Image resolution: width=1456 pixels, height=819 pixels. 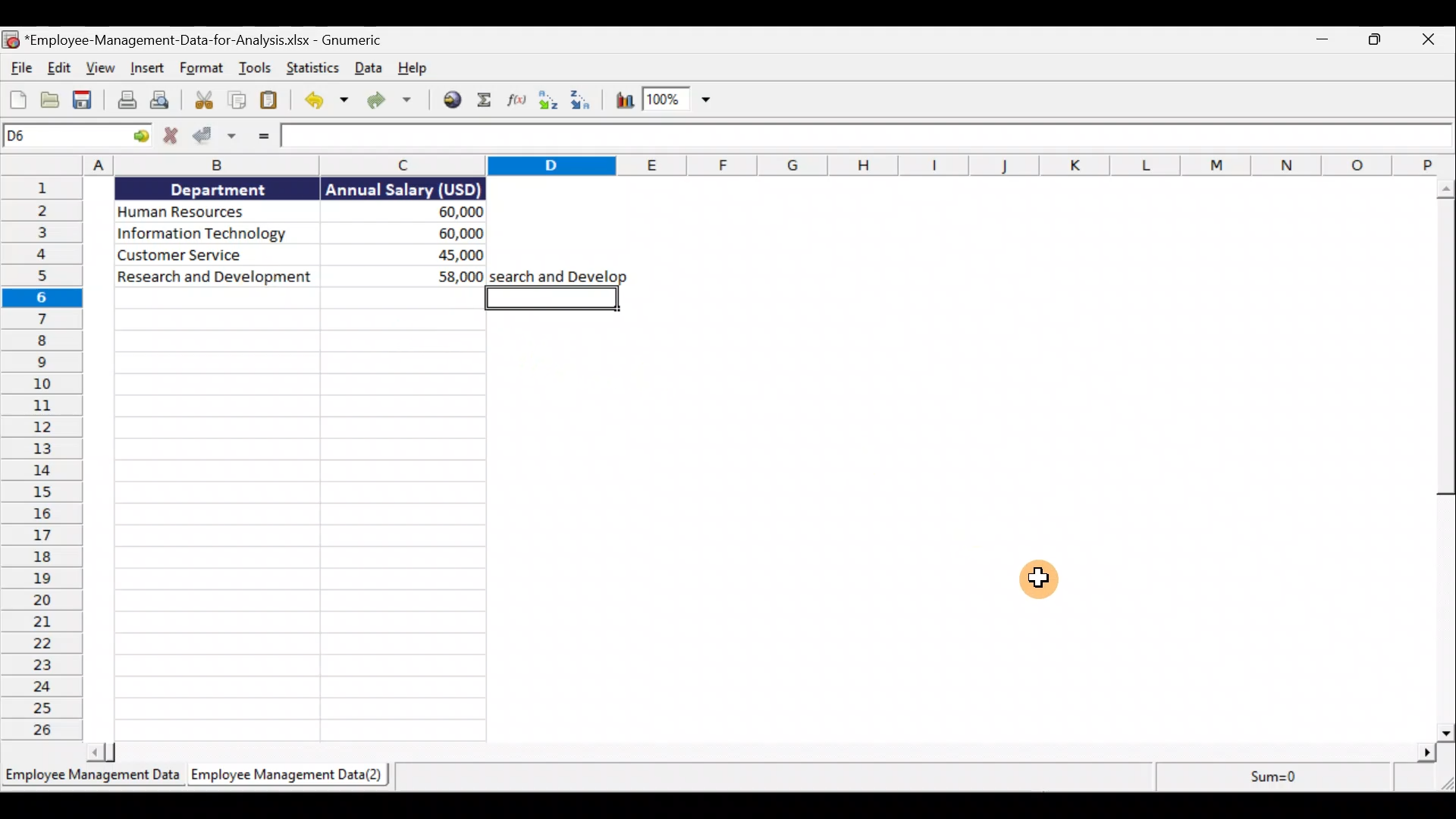 What do you see at coordinates (517, 102) in the screenshot?
I see `Edit a function in the current cell` at bounding box center [517, 102].